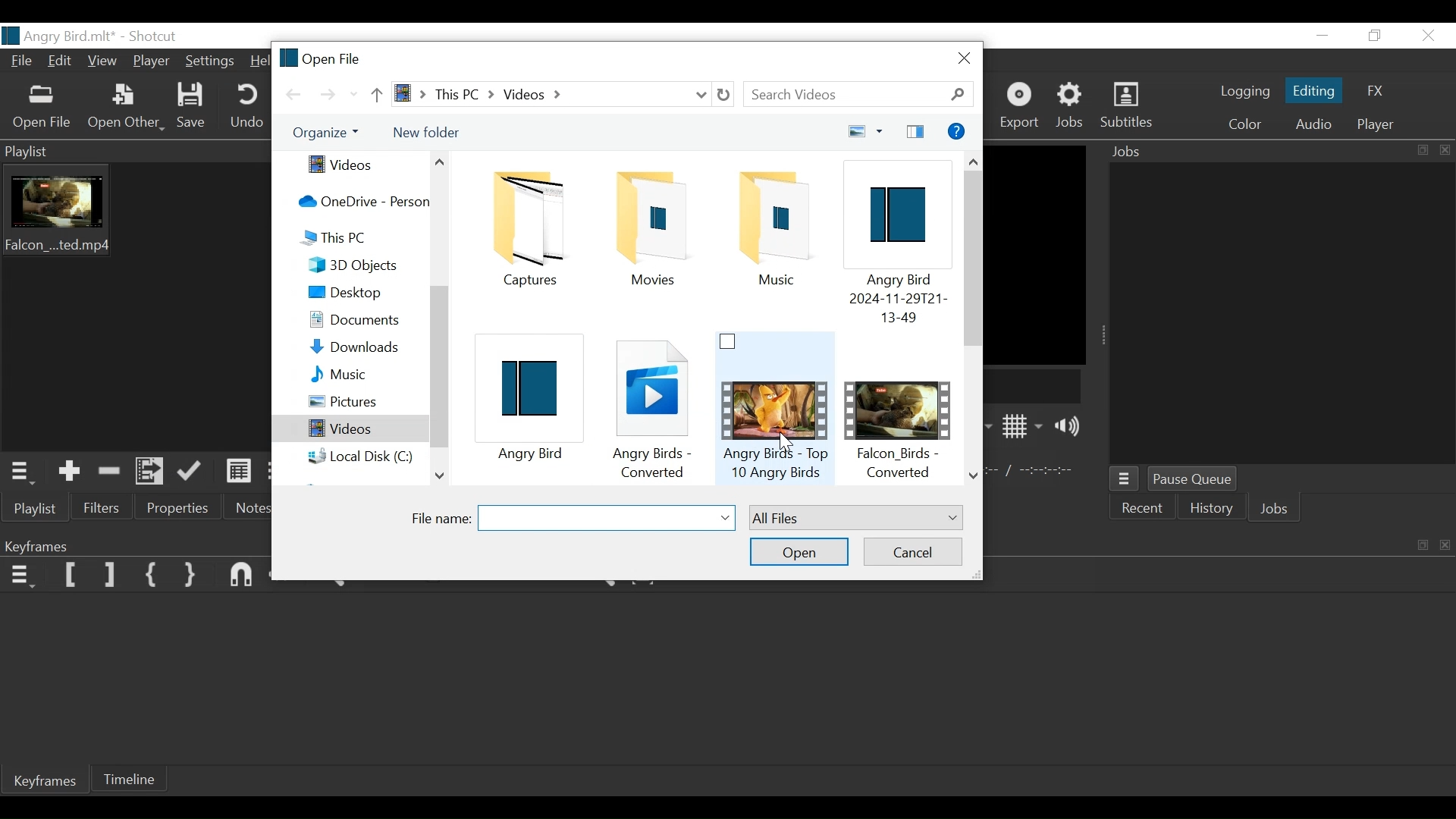 The height and width of the screenshot is (819, 1456). I want to click on Select File Nmae, so click(607, 519).